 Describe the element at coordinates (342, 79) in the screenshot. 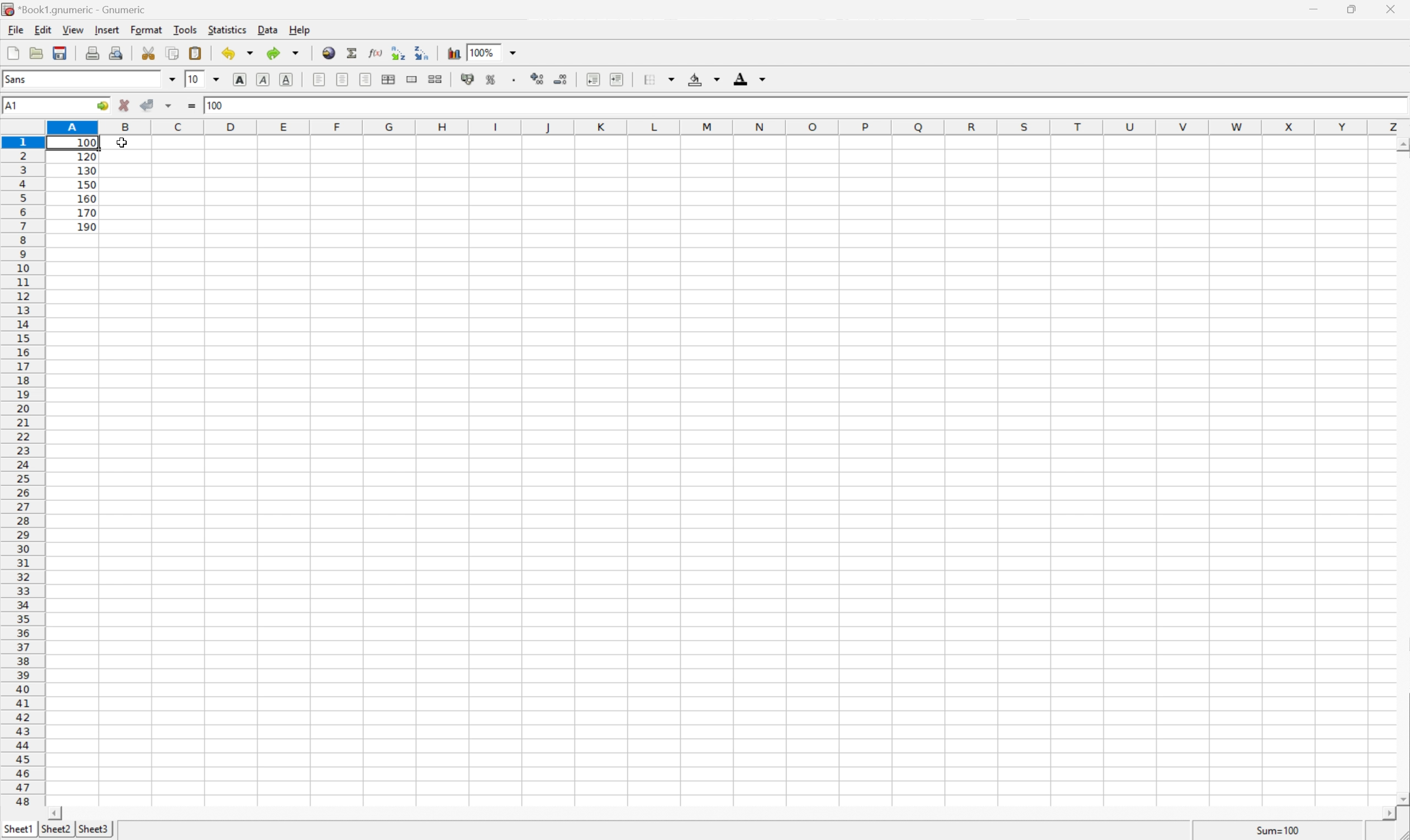

I see `Center horizontally` at that location.